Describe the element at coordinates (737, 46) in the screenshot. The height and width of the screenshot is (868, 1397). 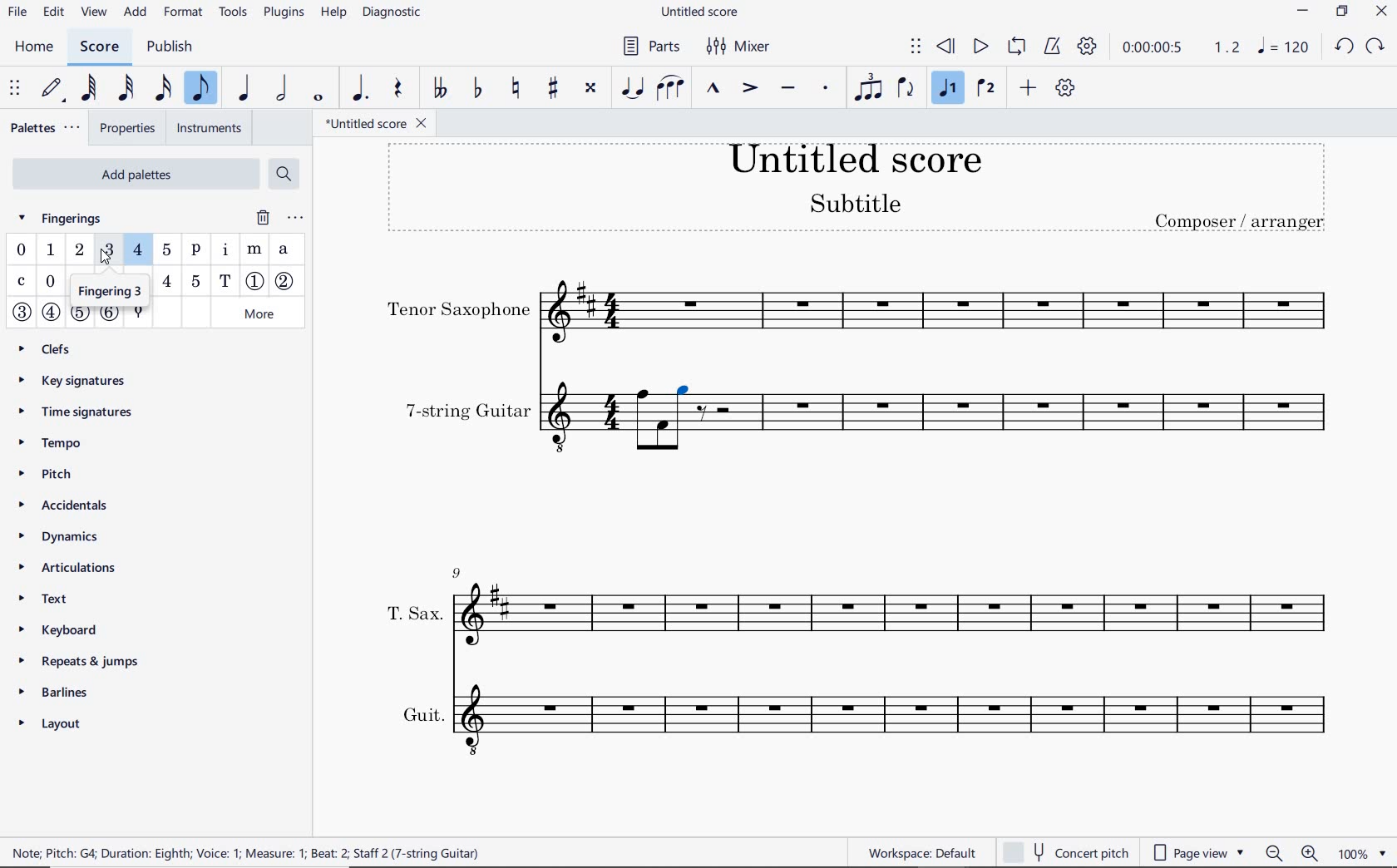
I see `MIXER` at that location.